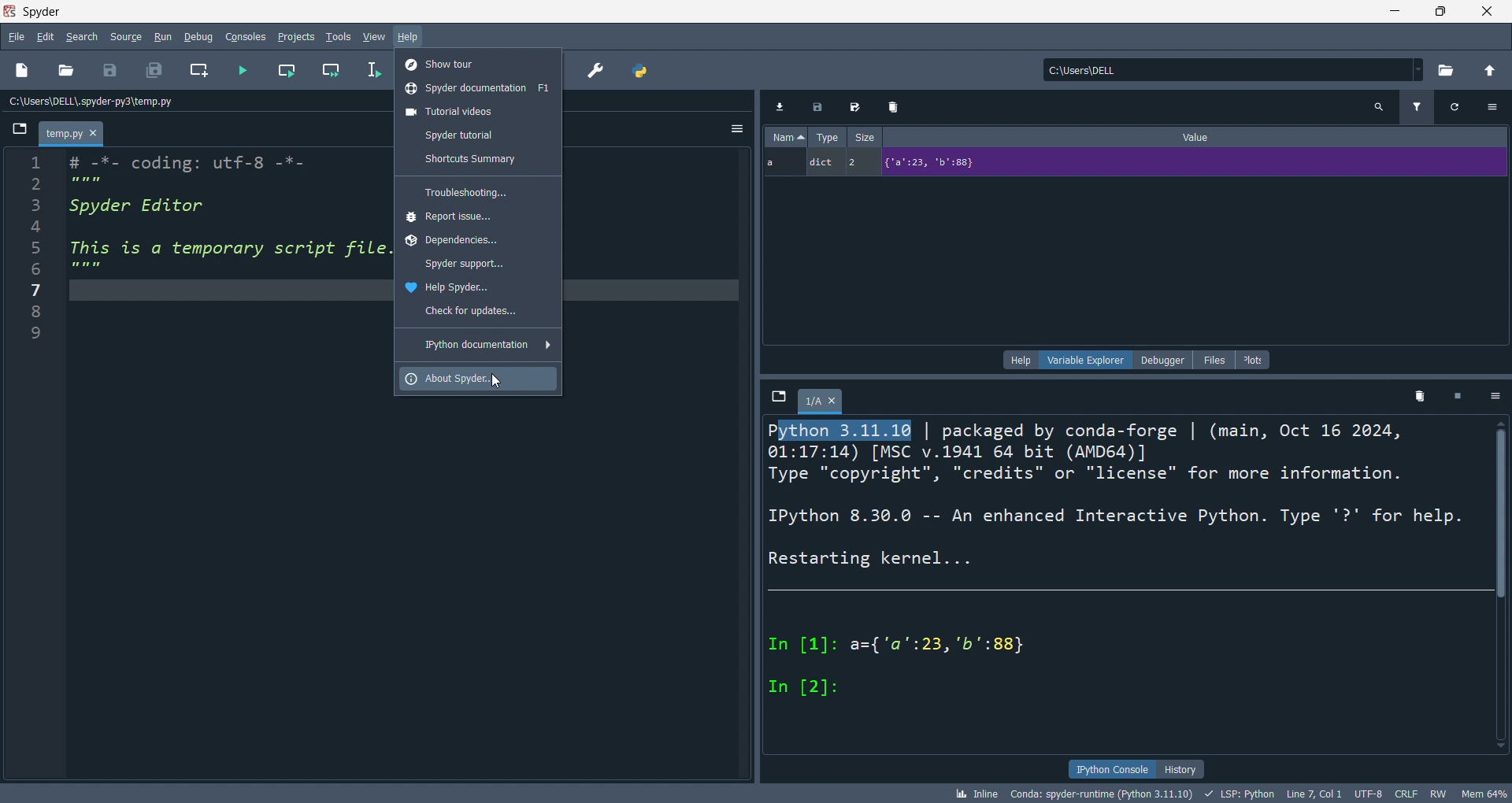 The height and width of the screenshot is (803, 1512). I want to click on save, so click(110, 72).